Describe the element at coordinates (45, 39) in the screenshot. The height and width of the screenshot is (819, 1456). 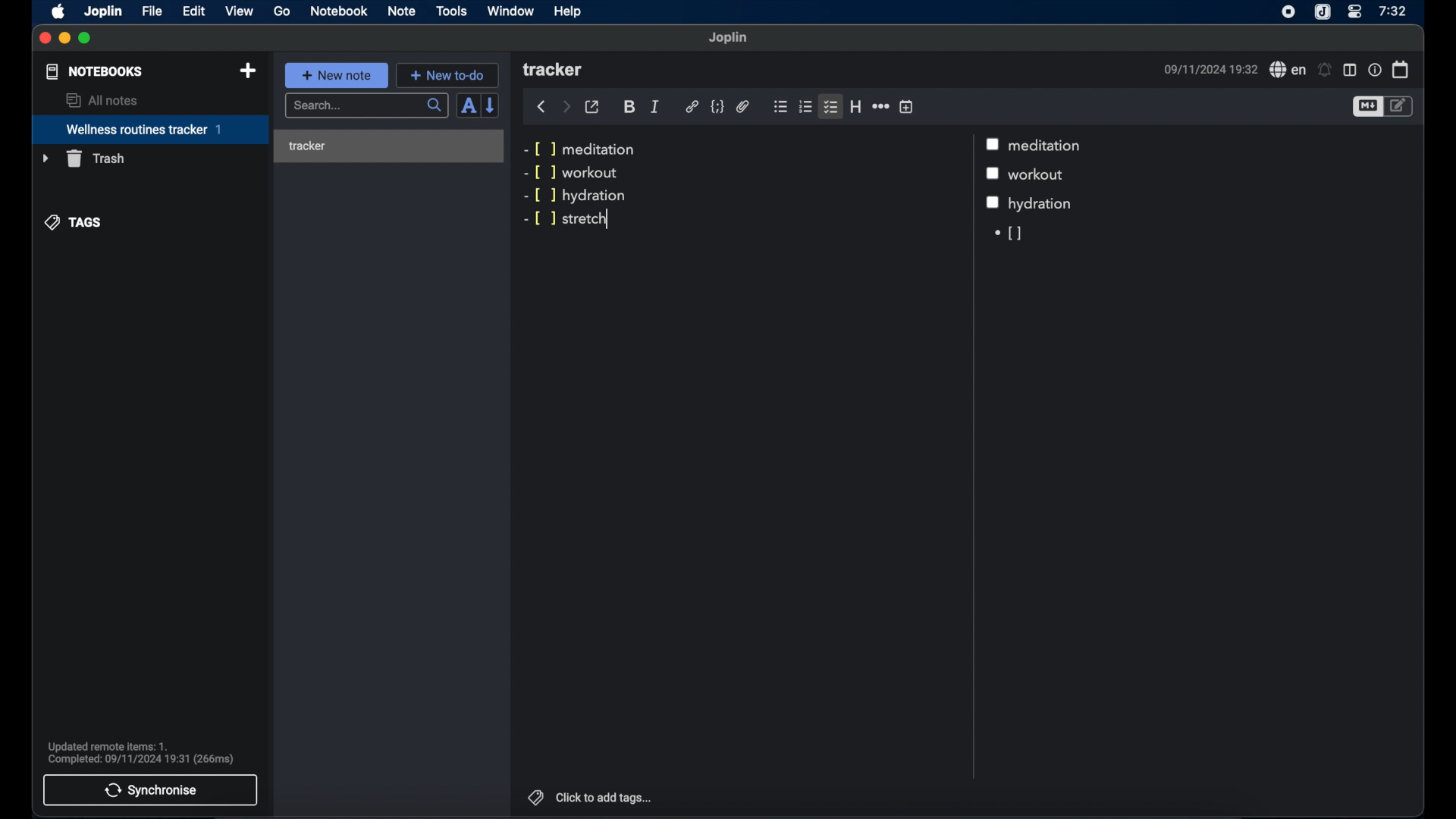
I see `close` at that location.